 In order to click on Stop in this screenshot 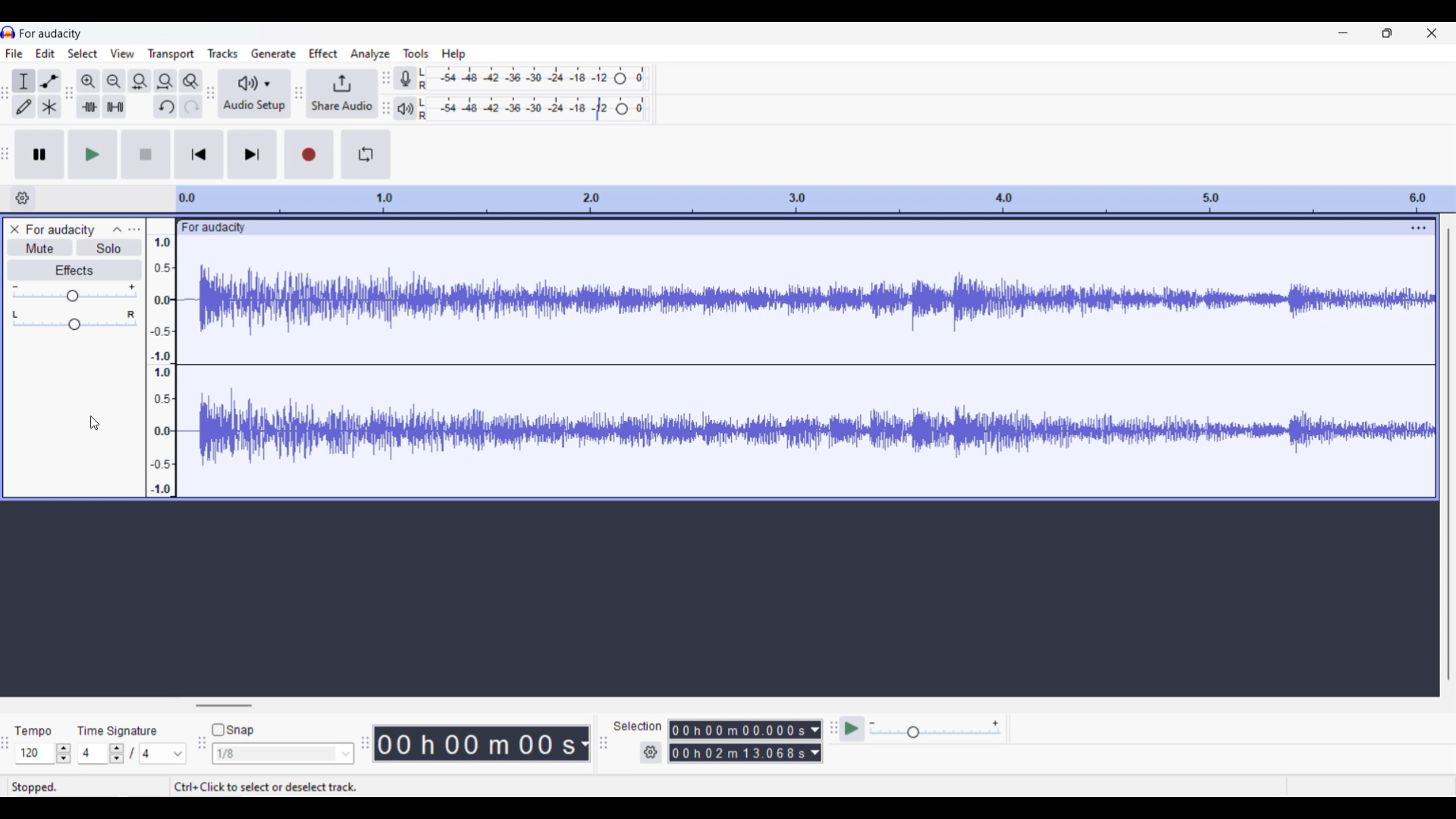, I will do `click(146, 154)`.